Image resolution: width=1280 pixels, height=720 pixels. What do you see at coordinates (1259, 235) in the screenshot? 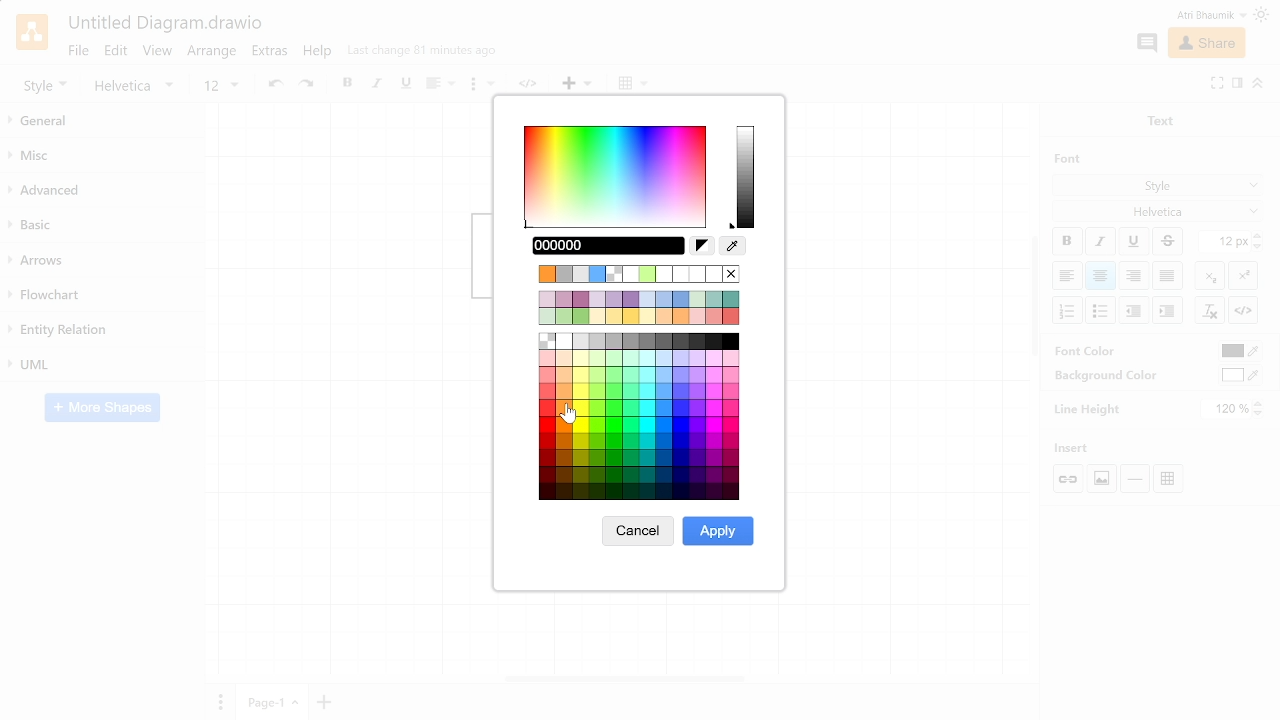
I see `Increase font size` at bounding box center [1259, 235].